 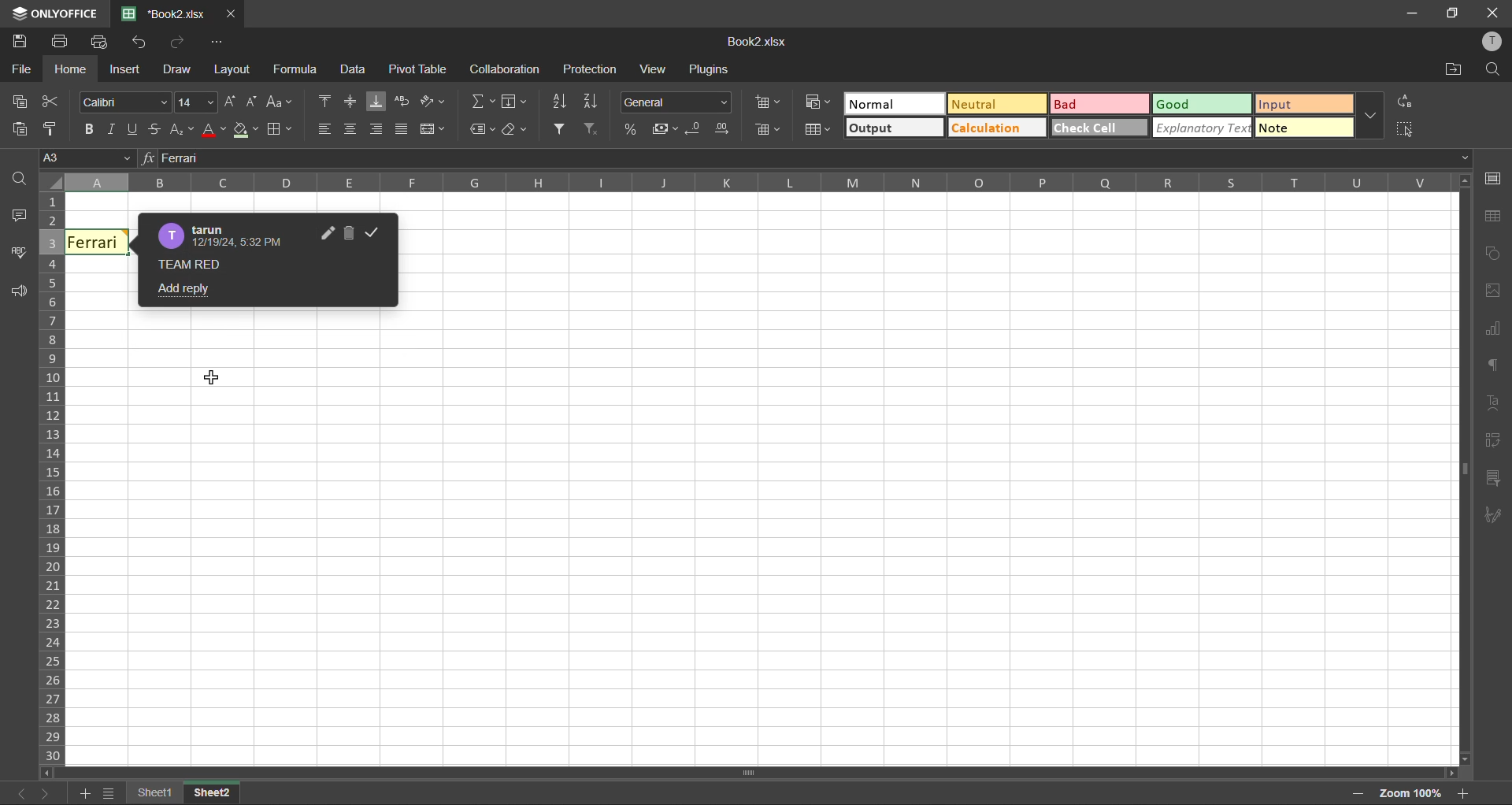 I want to click on formula, so click(x=298, y=72).